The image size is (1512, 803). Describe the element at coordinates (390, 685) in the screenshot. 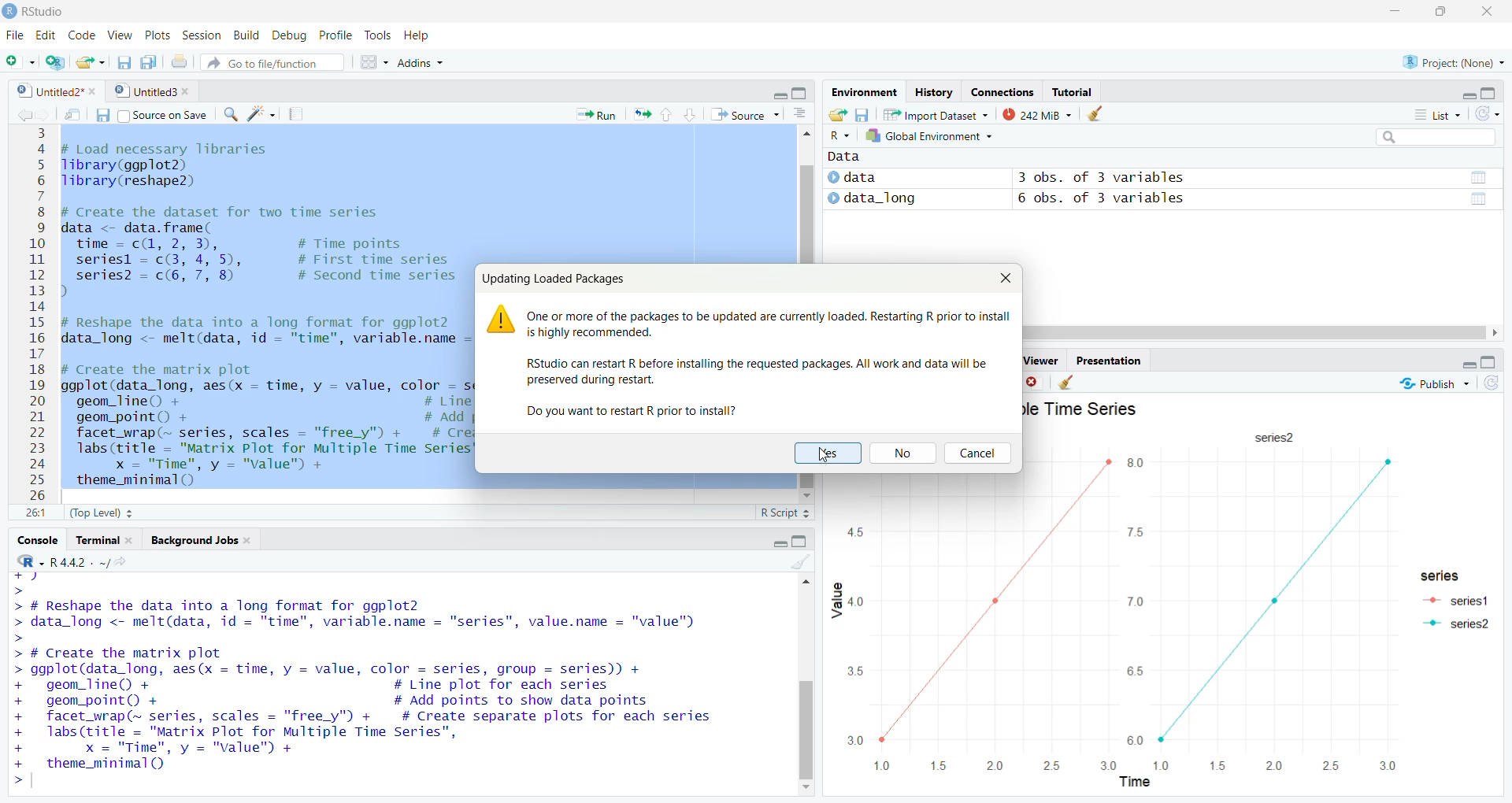

I see `>

> # Reshape the data into a long format for ggplot2

> data_long <- melt(data, id = "time", variable.name = "series", value.name = "value")
>

> # Create the matrix plot

> ggplot(data_long, aes(x = time, y = value, color = series, group = series)) +

+ geom_line(Q) + # Line plot for each series

+ geom_point() + # Add points to show data points

+ facet_wrap(~ series, scales = "free_y") +  # Create separate plots for each series
+ labs(title = "Matrix Plot for Multiple Time Series",

+ x = "Time", y = "value" +

+  theme_minimal()

>|` at that location.